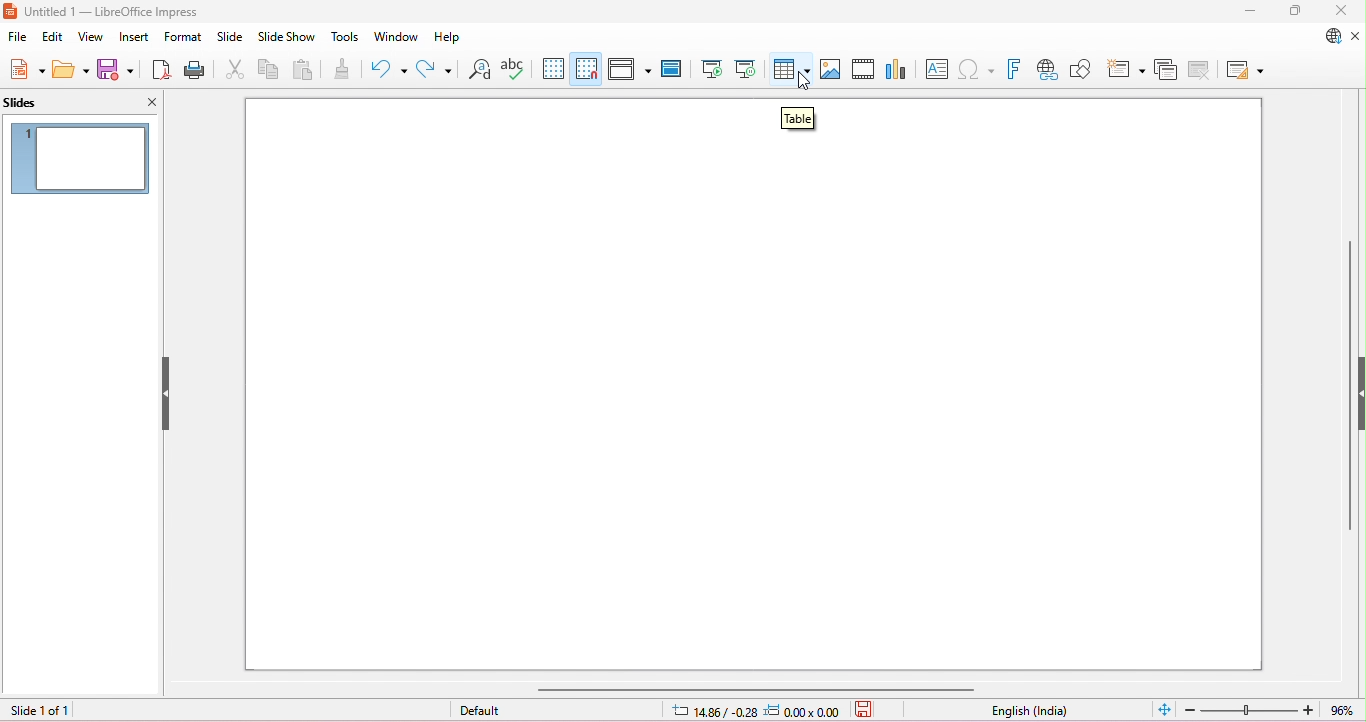 This screenshot has height=722, width=1366. What do you see at coordinates (1083, 69) in the screenshot?
I see `show draw functions` at bounding box center [1083, 69].